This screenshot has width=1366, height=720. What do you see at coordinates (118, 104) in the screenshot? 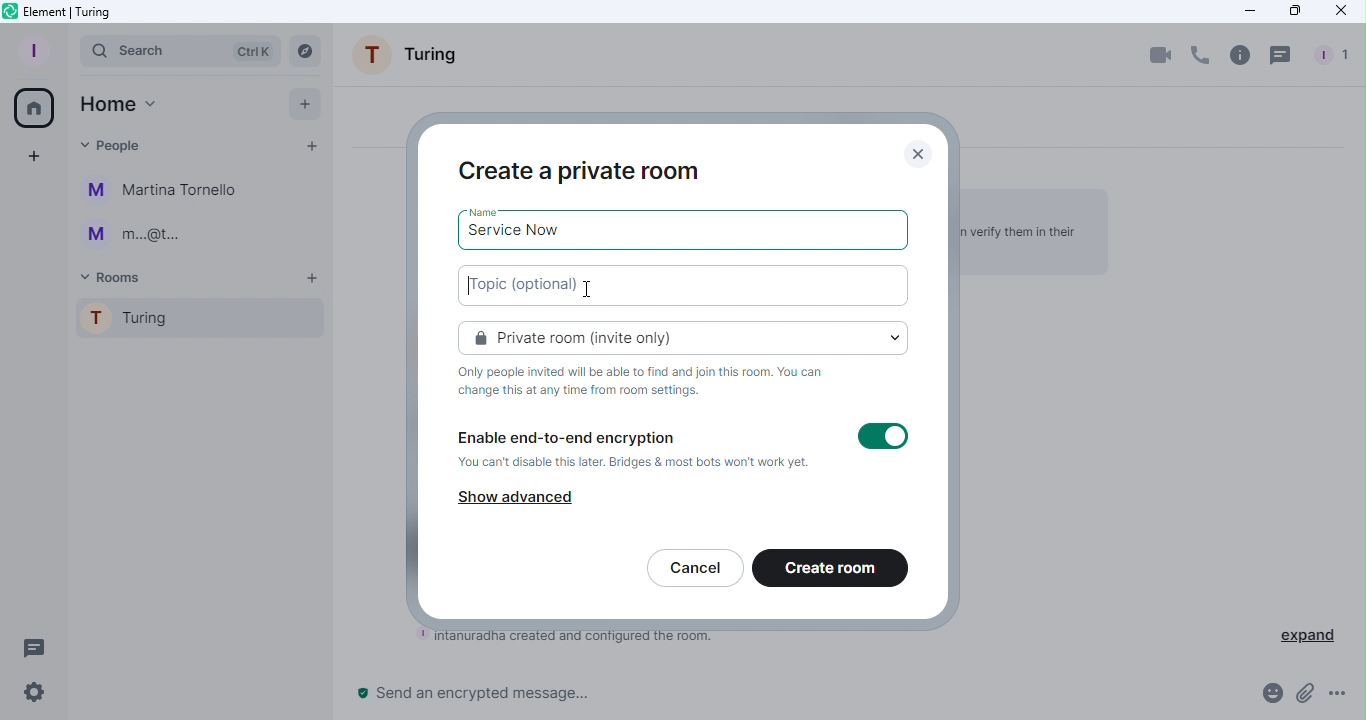
I see `Home` at bounding box center [118, 104].